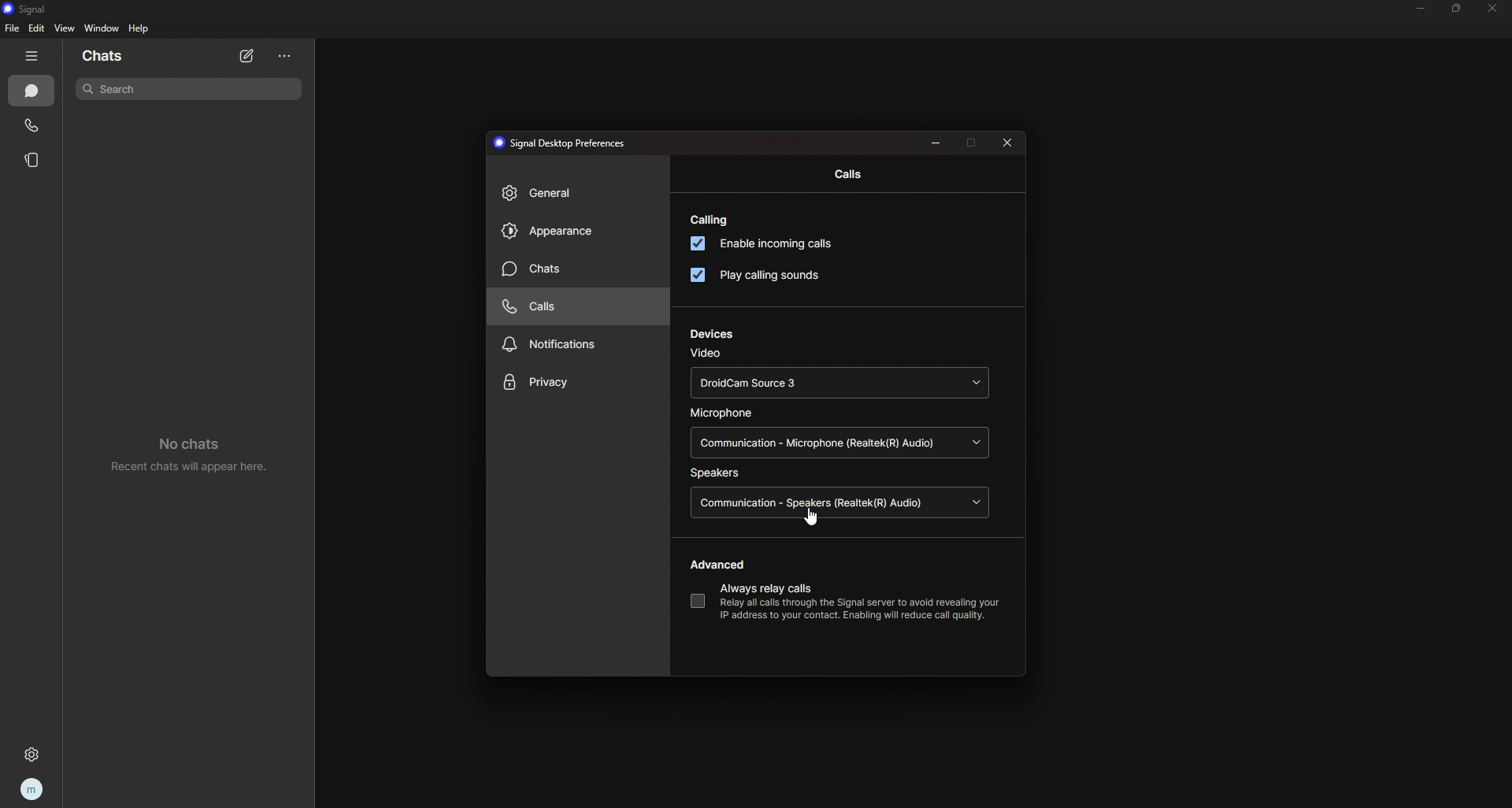 This screenshot has width=1512, height=808. Describe the element at coordinates (724, 414) in the screenshot. I see `microphone` at that location.